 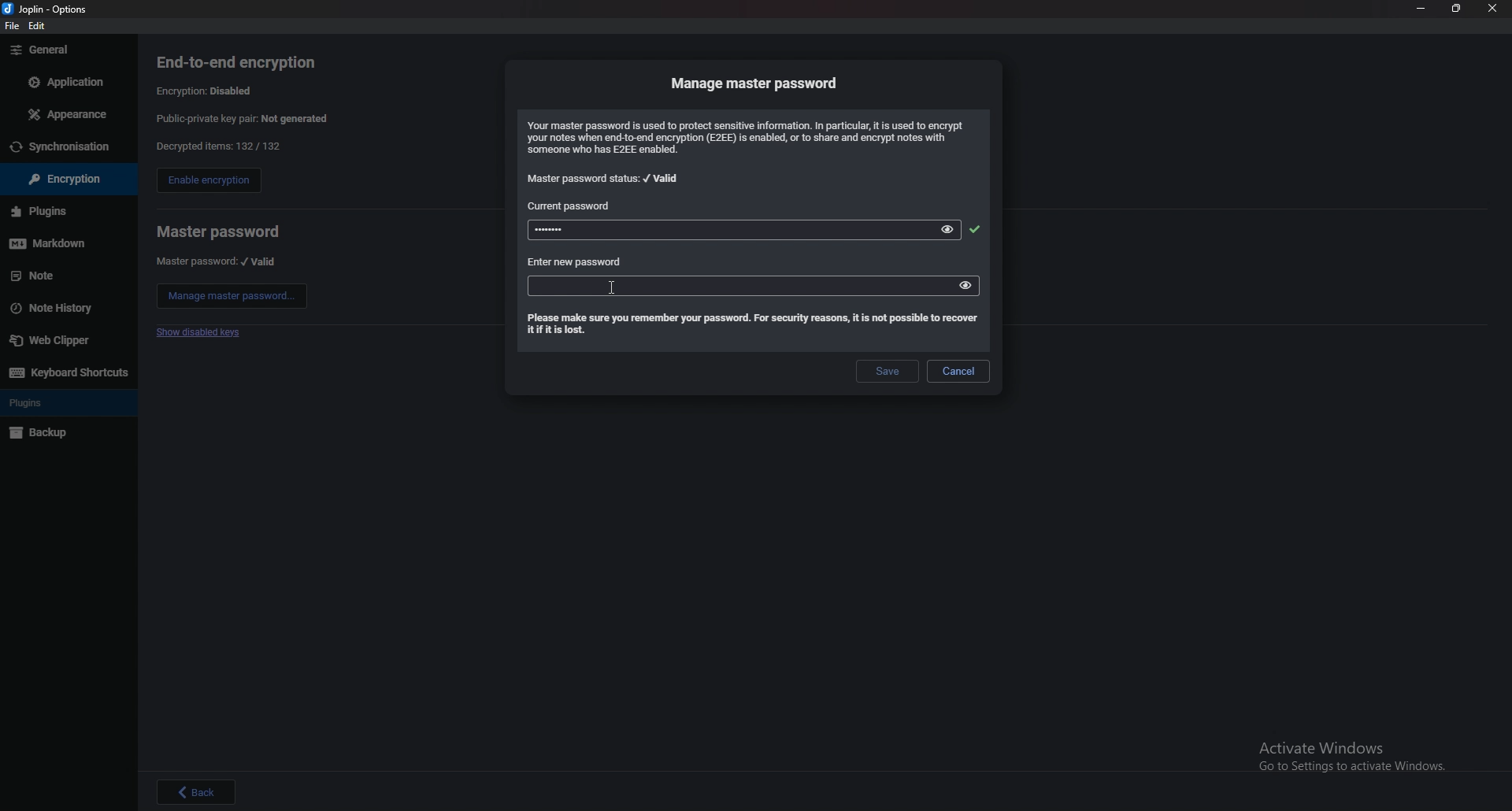 I want to click on plugins, so click(x=66, y=403).